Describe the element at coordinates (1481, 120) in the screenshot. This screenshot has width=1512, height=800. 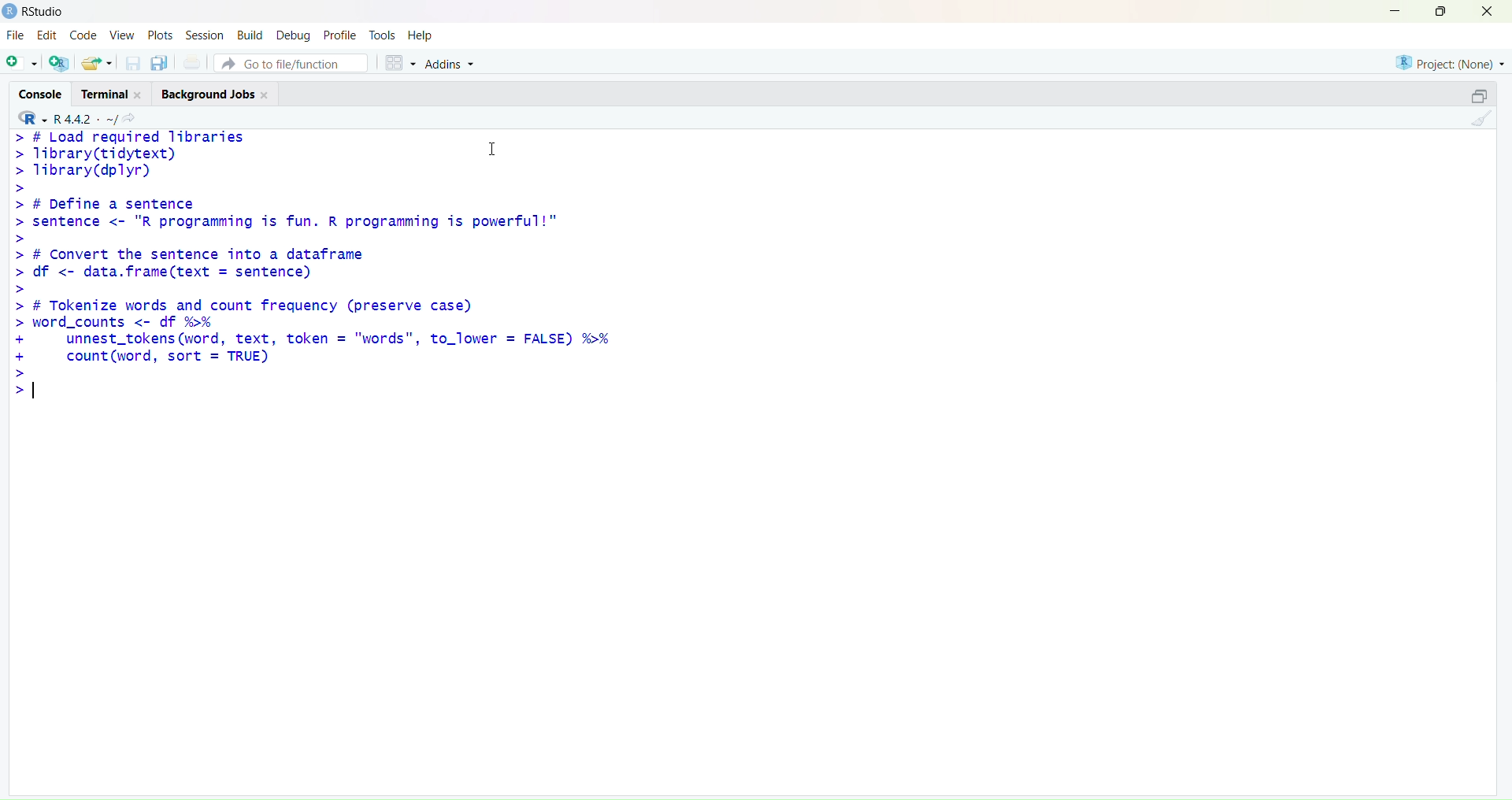
I see `clear console` at that location.